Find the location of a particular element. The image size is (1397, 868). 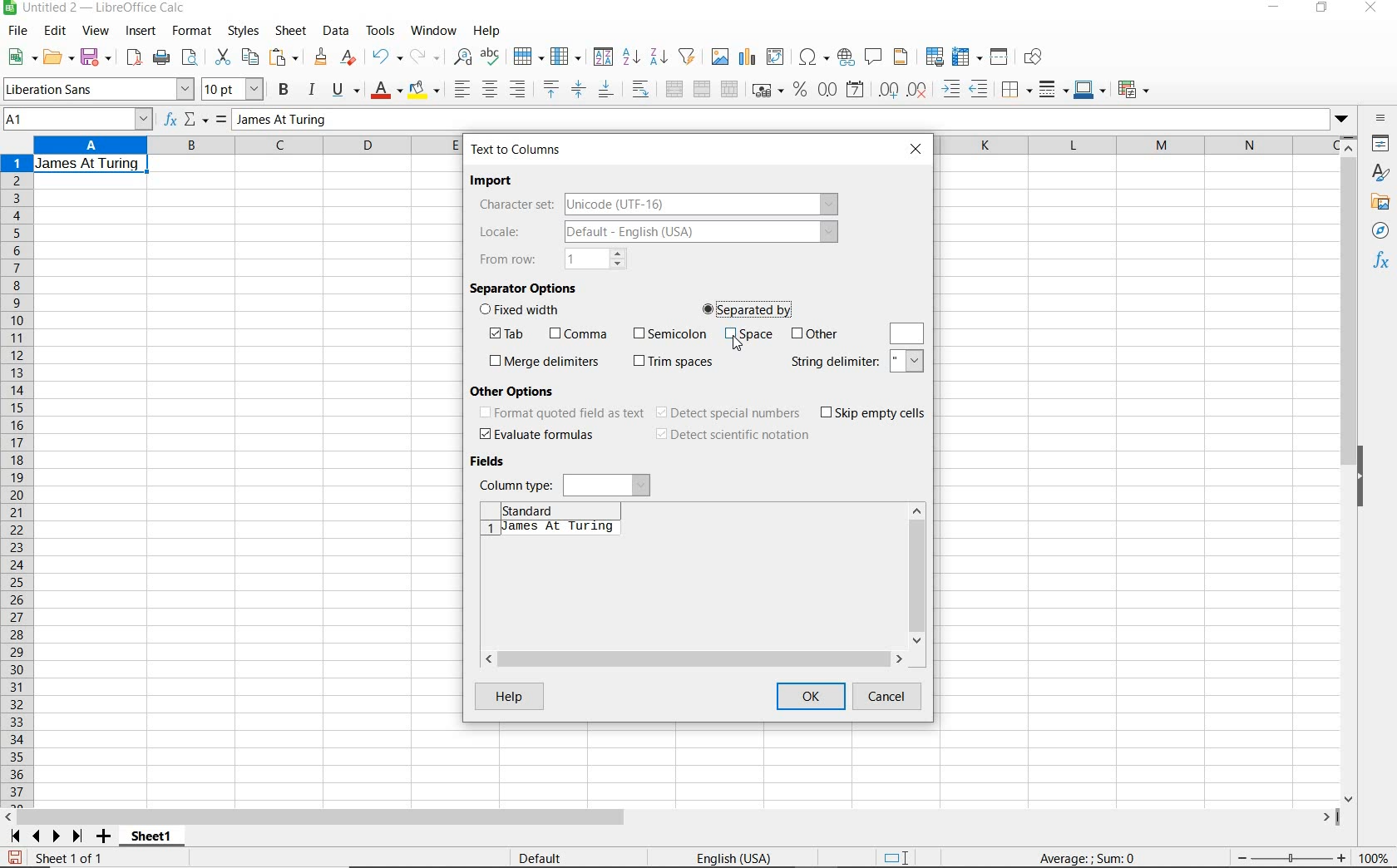

insert comment is located at coordinates (875, 57).